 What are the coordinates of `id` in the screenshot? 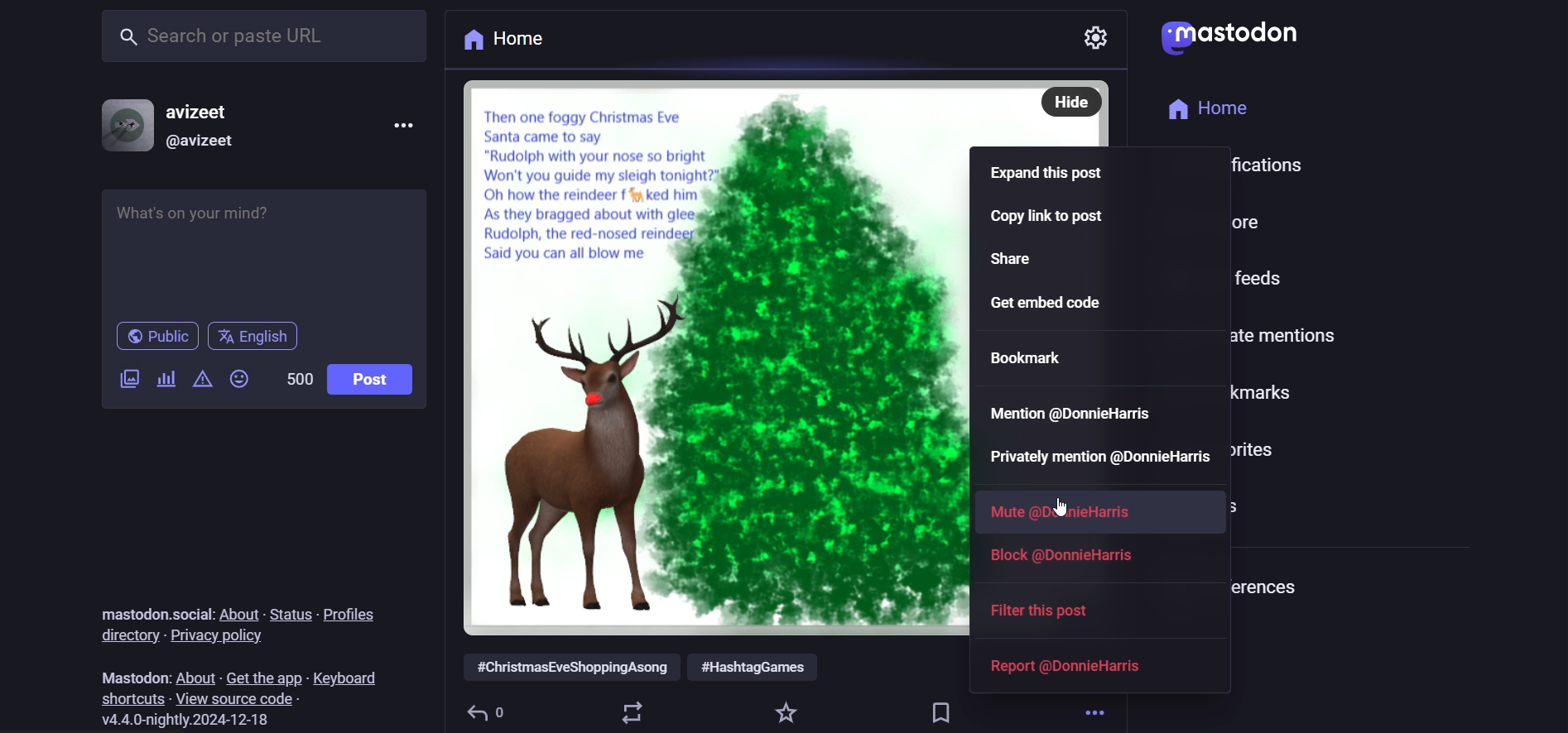 It's located at (199, 142).